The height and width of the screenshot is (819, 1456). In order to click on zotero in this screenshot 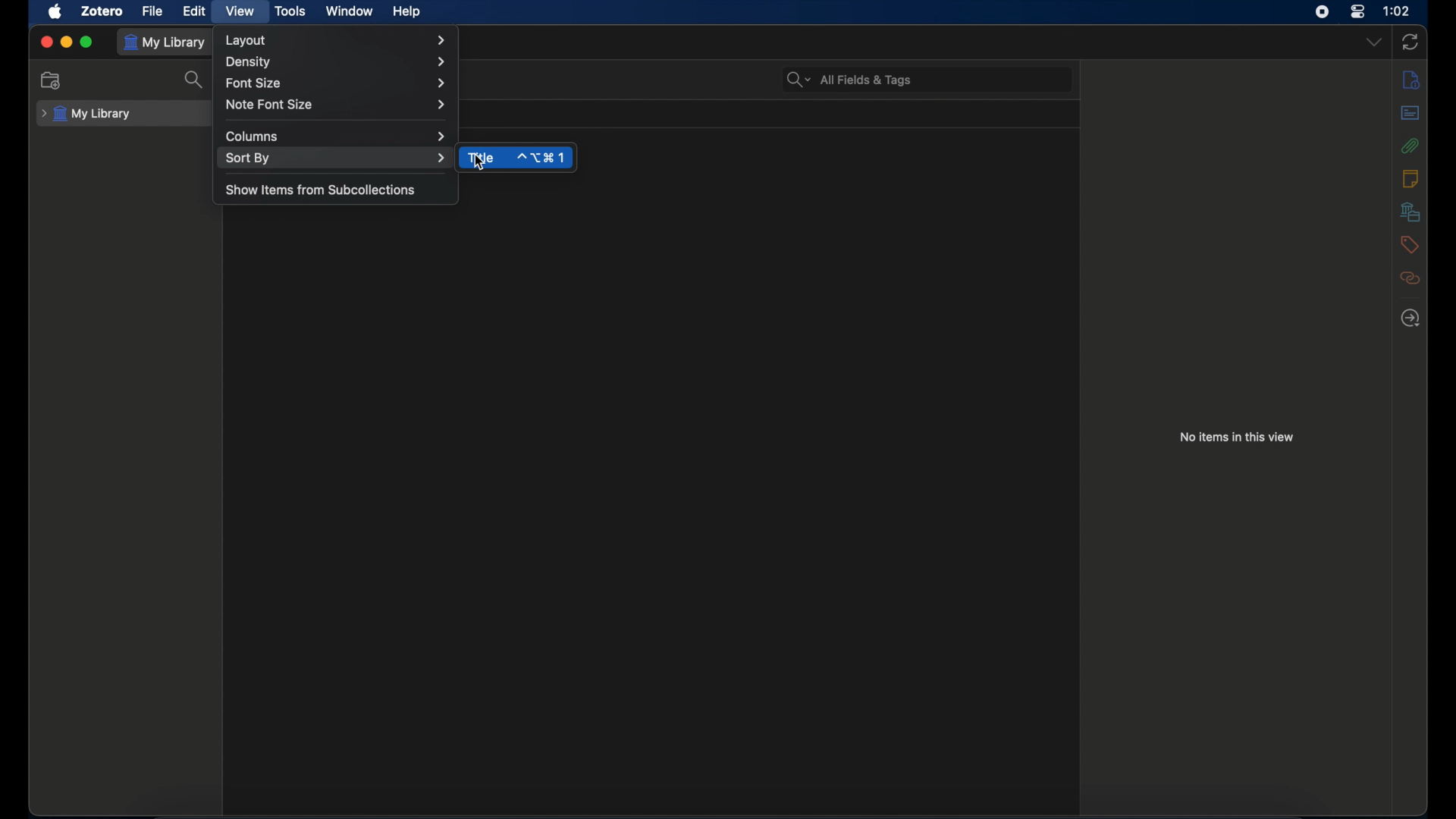, I will do `click(102, 12)`.